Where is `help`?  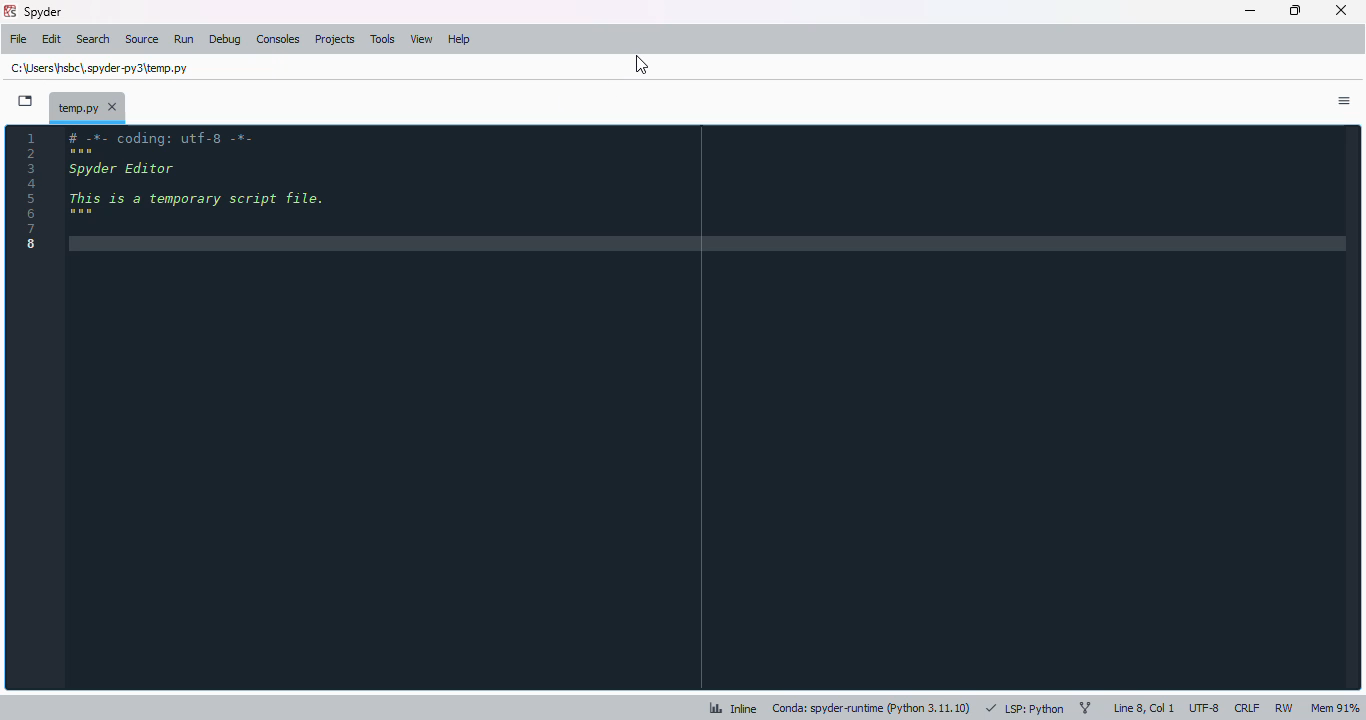 help is located at coordinates (458, 40).